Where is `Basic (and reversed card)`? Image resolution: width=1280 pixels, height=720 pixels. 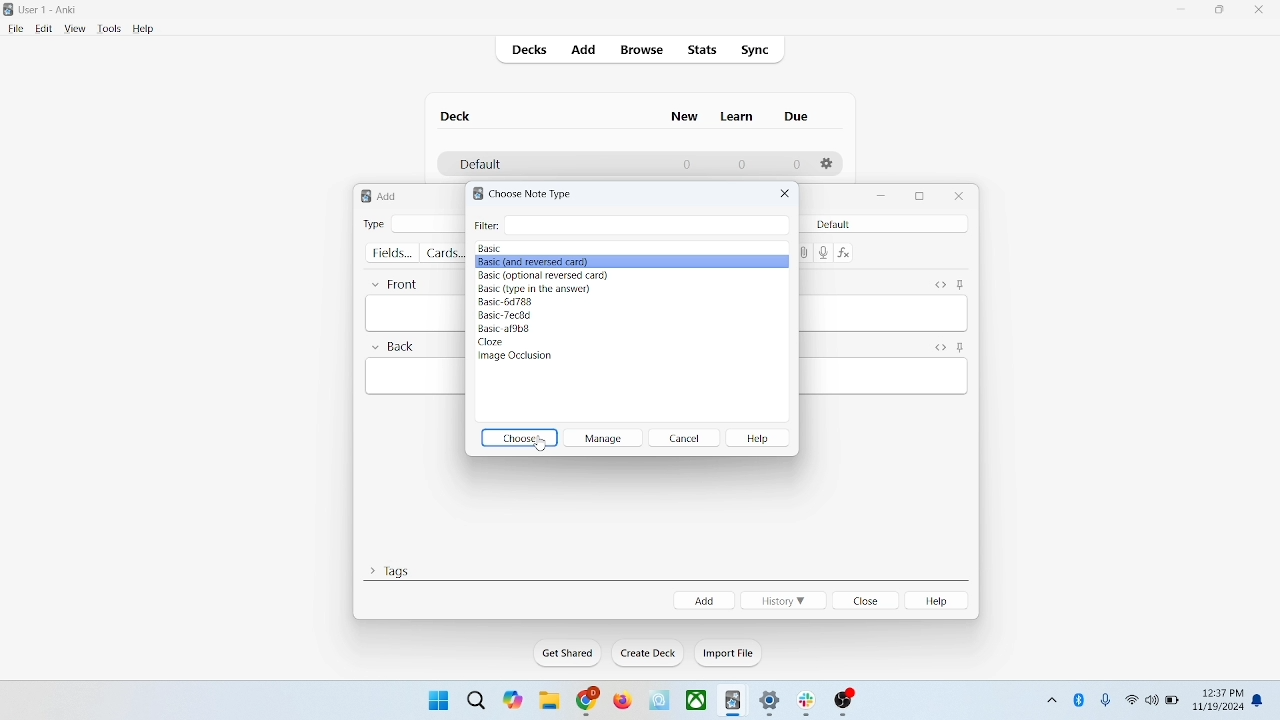
Basic (and reversed card) is located at coordinates (536, 262).